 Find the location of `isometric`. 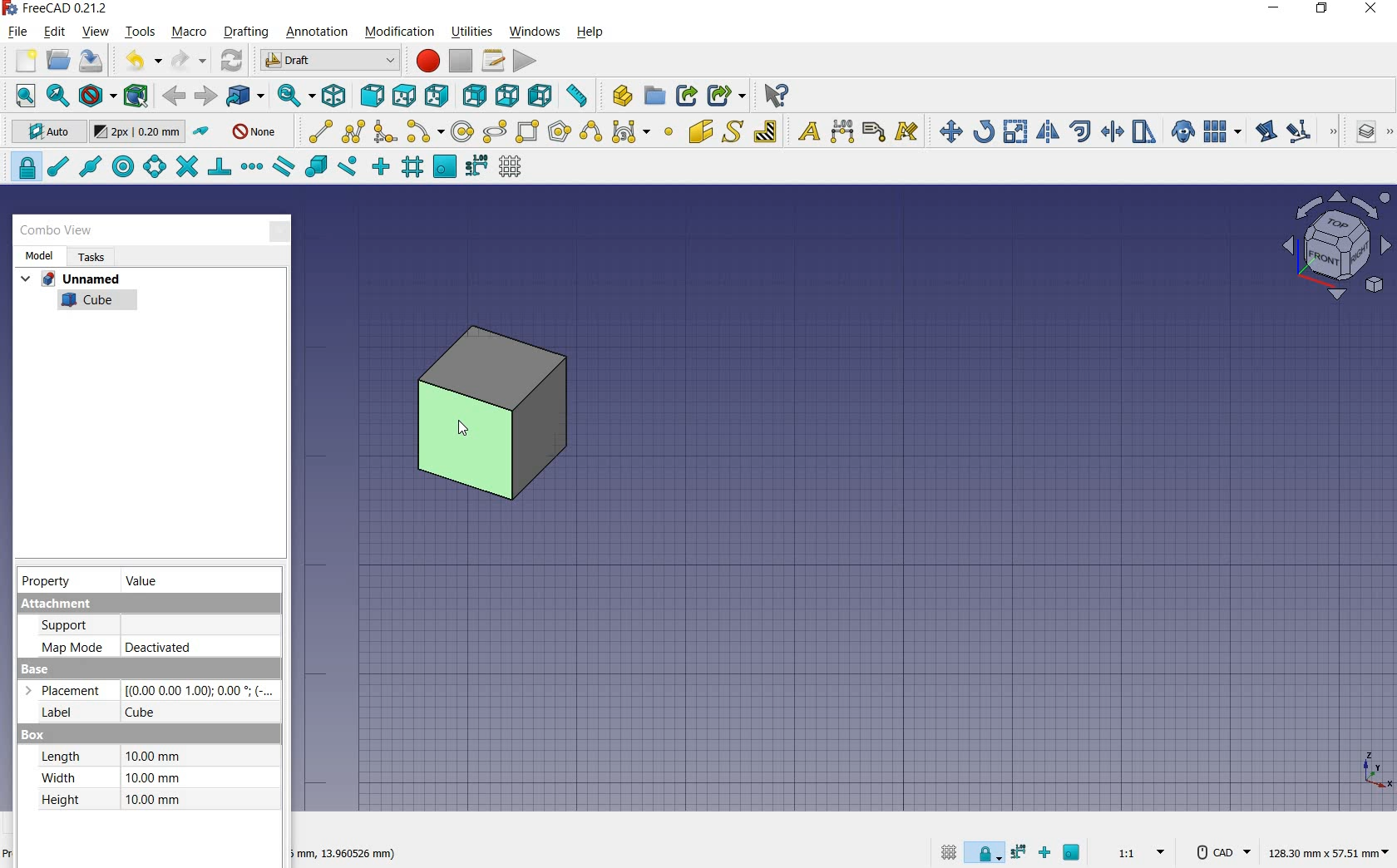

isometric is located at coordinates (334, 96).